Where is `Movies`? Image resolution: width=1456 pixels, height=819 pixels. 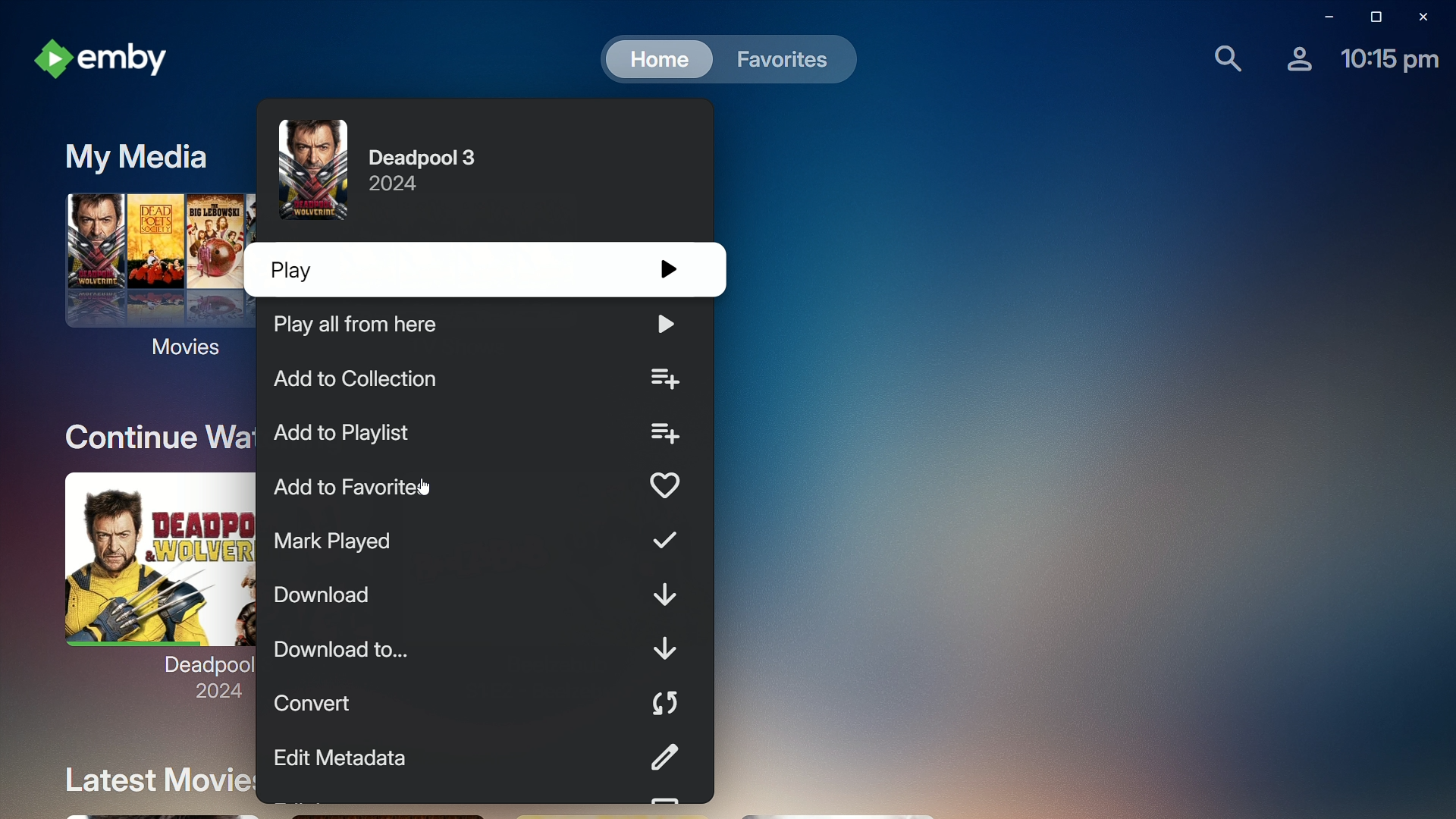
Movies is located at coordinates (157, 278).